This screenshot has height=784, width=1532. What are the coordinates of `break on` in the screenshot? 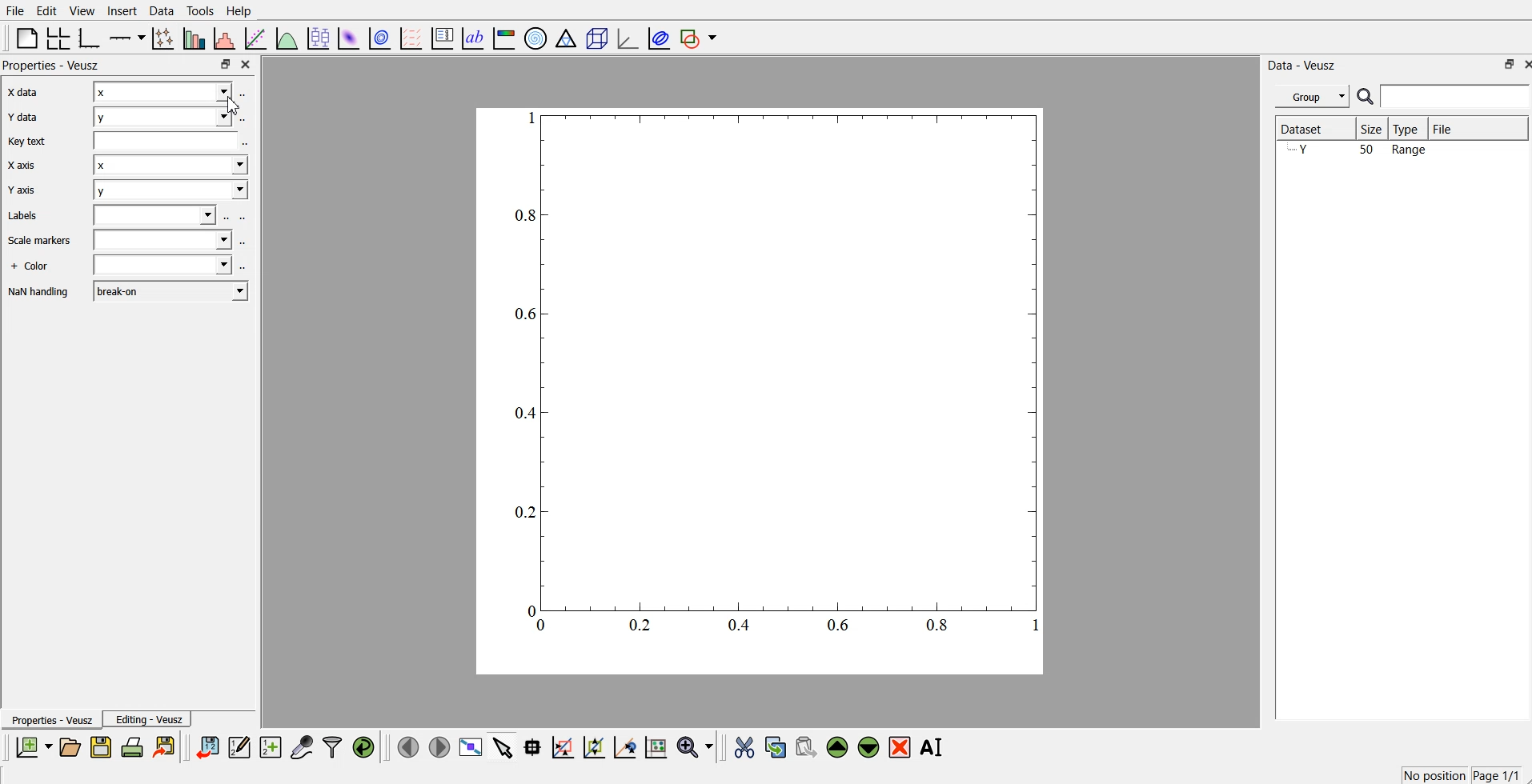 It's located at (170, 290).